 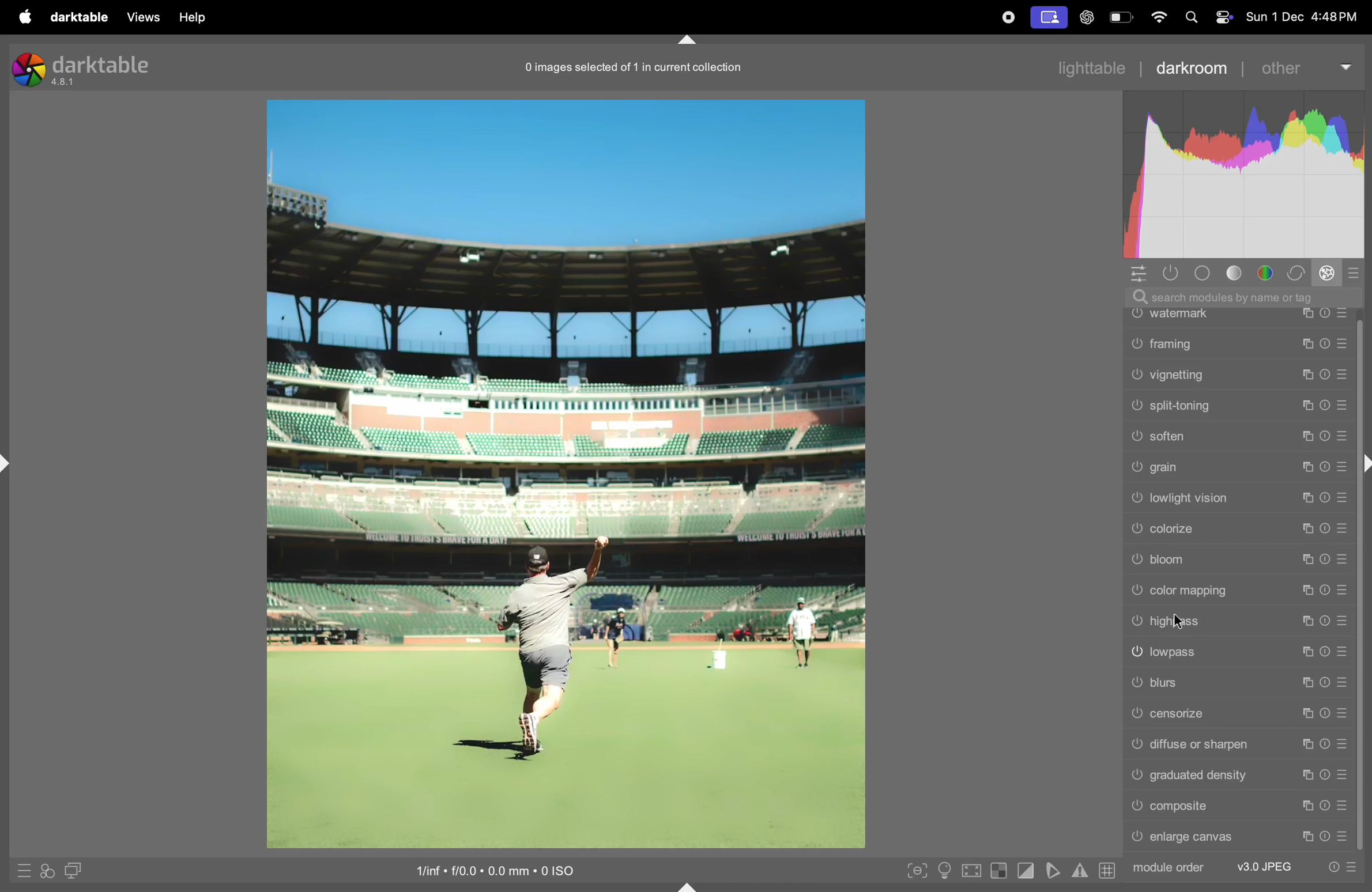 What do you see at coordinates (1206, 273) in the screenshot?
I see `base` at bounding box center [1206, 273].